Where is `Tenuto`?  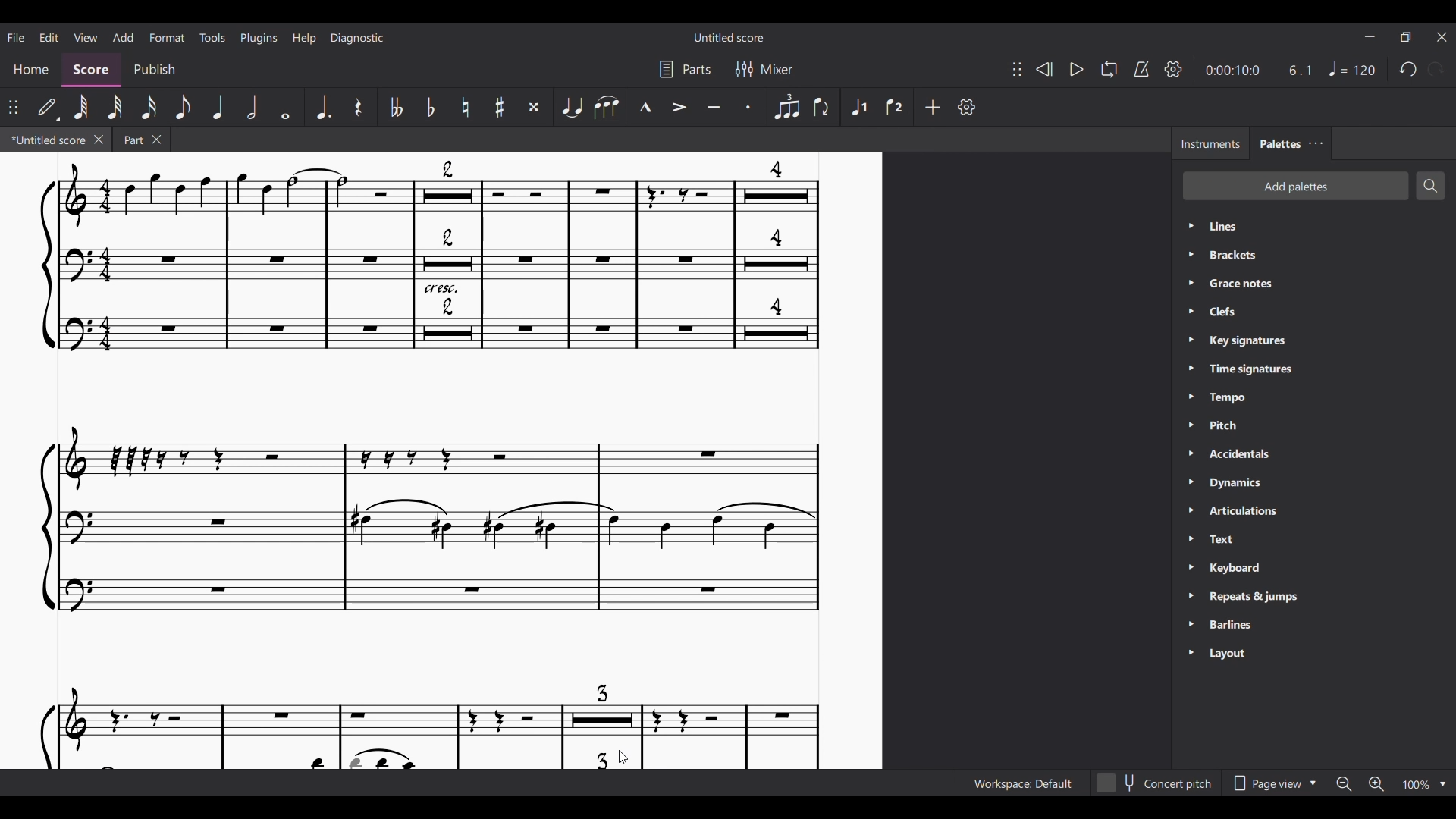 Tenuto is located at coordinates (714, 107).